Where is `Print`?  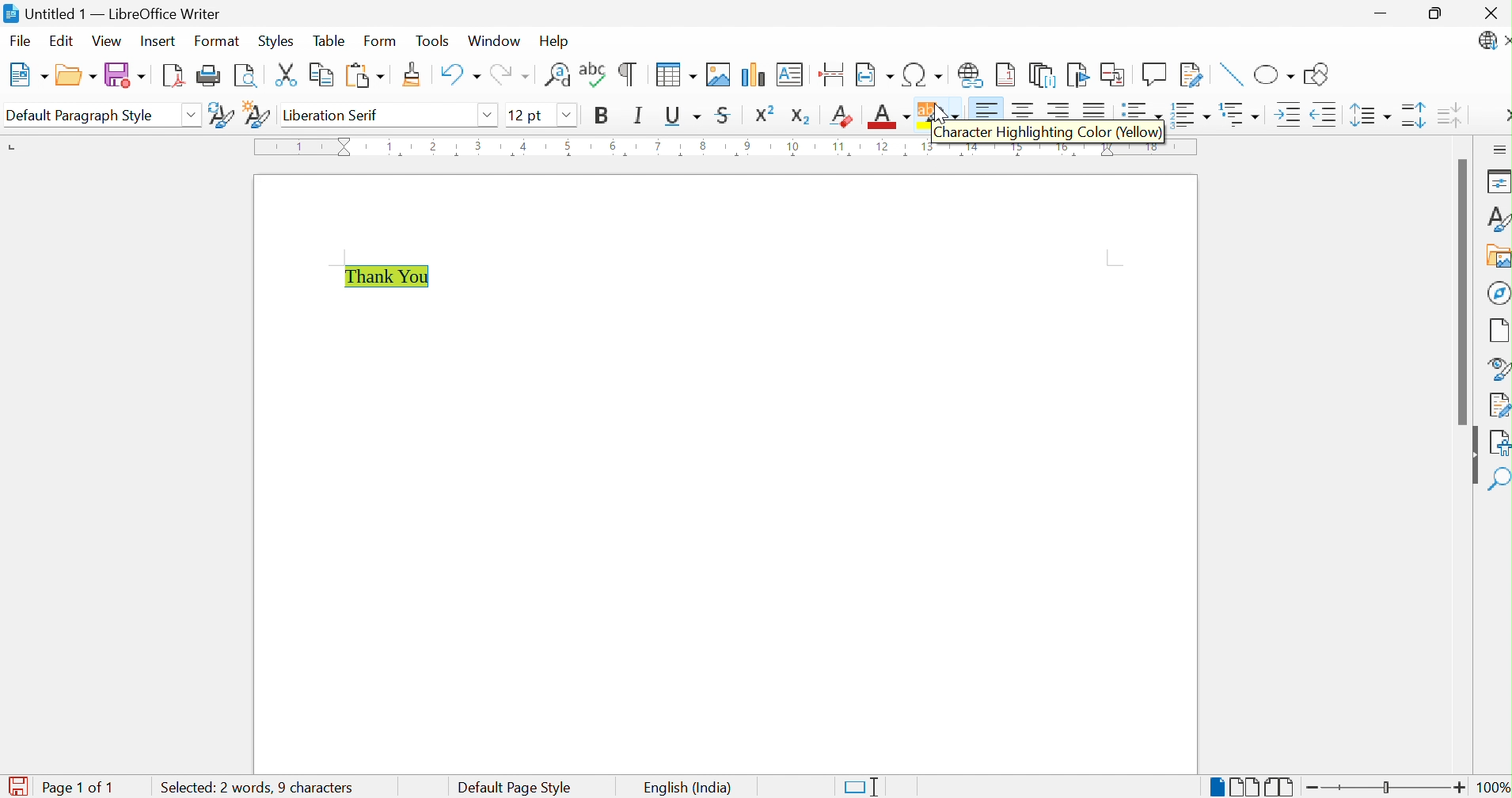 Print is located at coordinates (208, 75).